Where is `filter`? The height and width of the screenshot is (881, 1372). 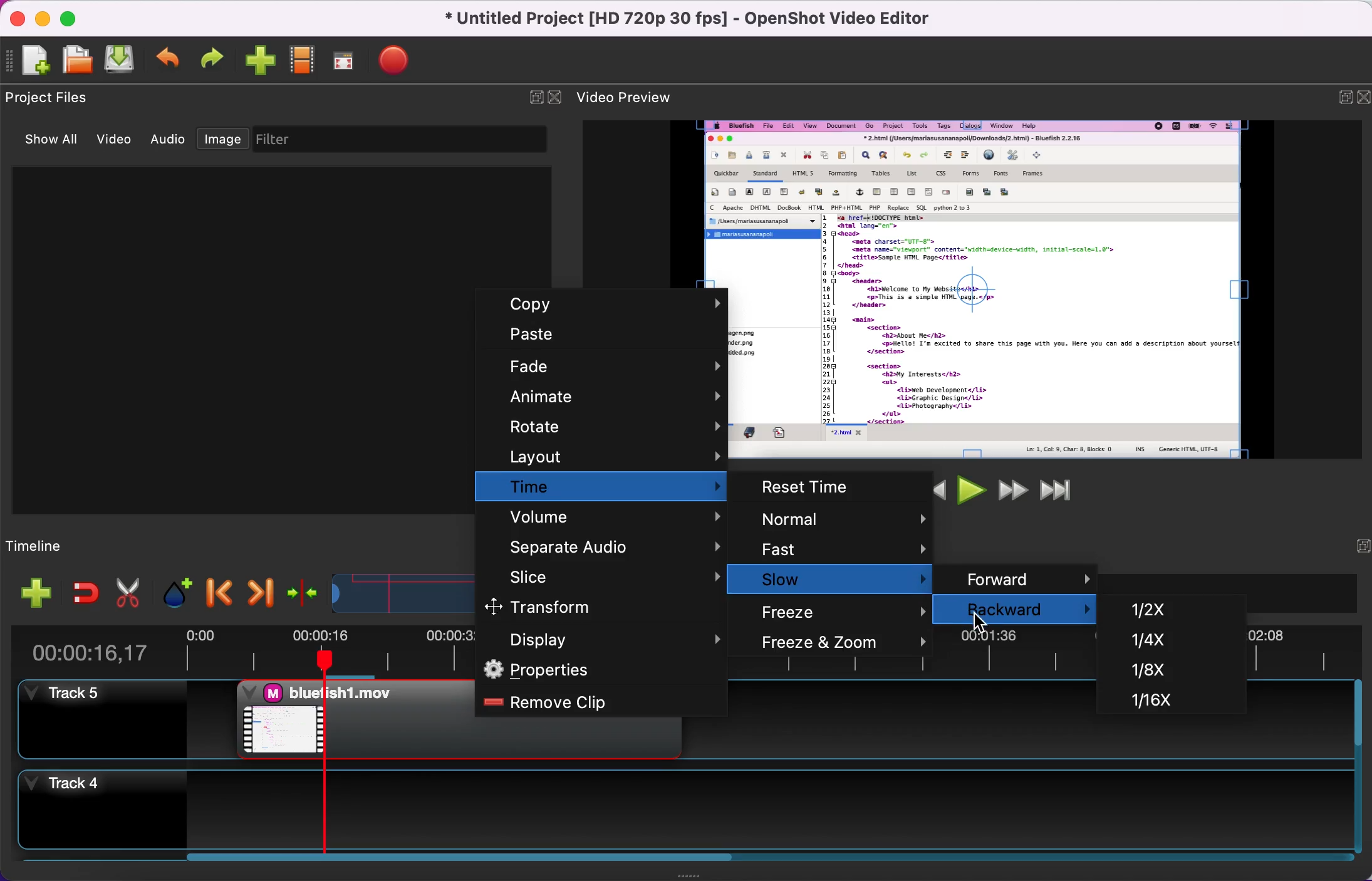 filter is located at coordinates (405, 140).